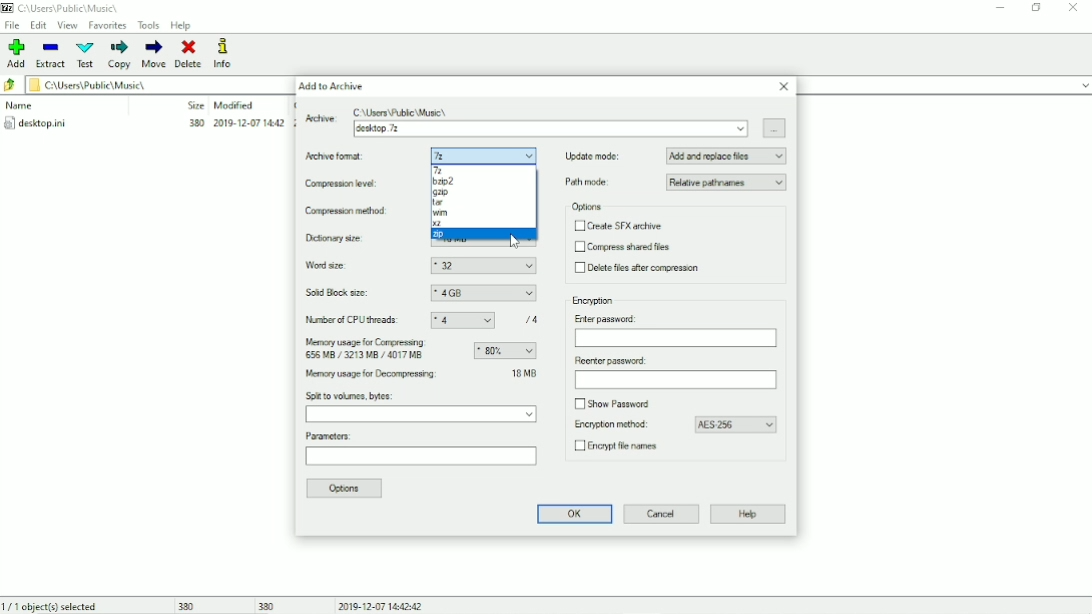 This screenshot has width=1092, height=614. Describe the element at coordinates (231, 53) in the screenshot. I see `Info` at that location.